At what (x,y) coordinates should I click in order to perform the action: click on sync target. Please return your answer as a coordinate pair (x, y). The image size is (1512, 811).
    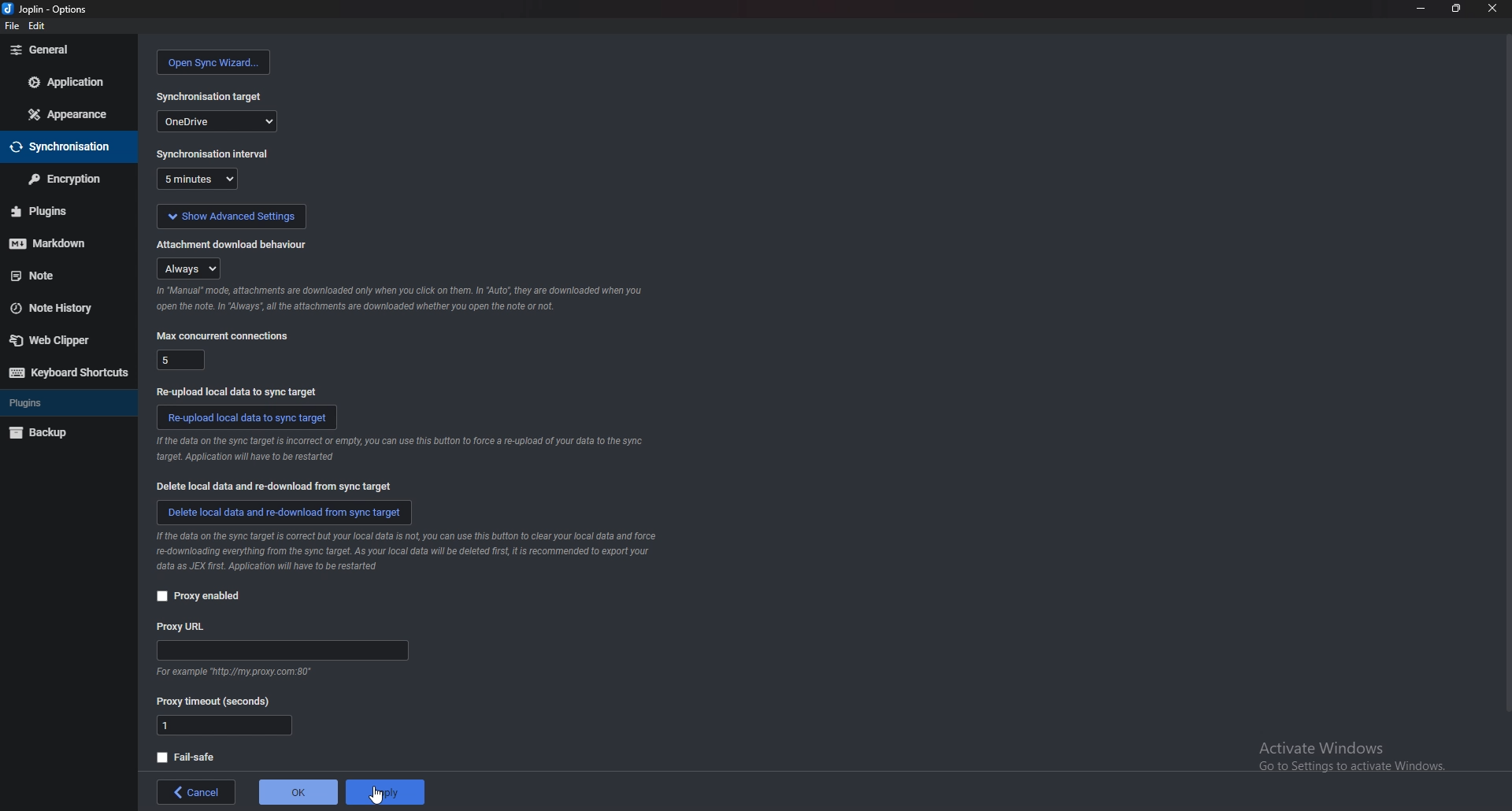
    Looking at the image, I should click on (210, 95).